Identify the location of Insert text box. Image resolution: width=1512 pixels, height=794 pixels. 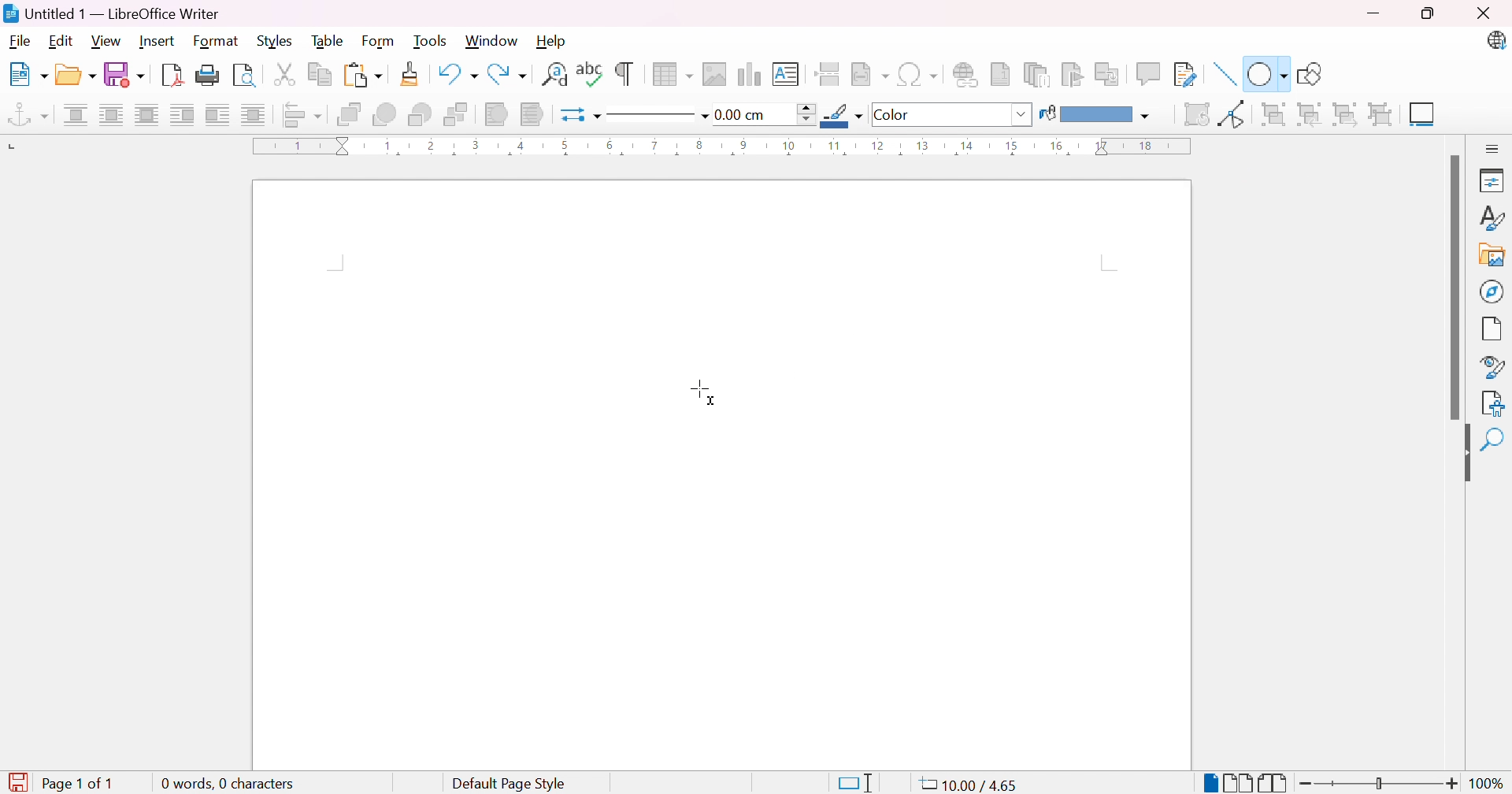
(784, 74).